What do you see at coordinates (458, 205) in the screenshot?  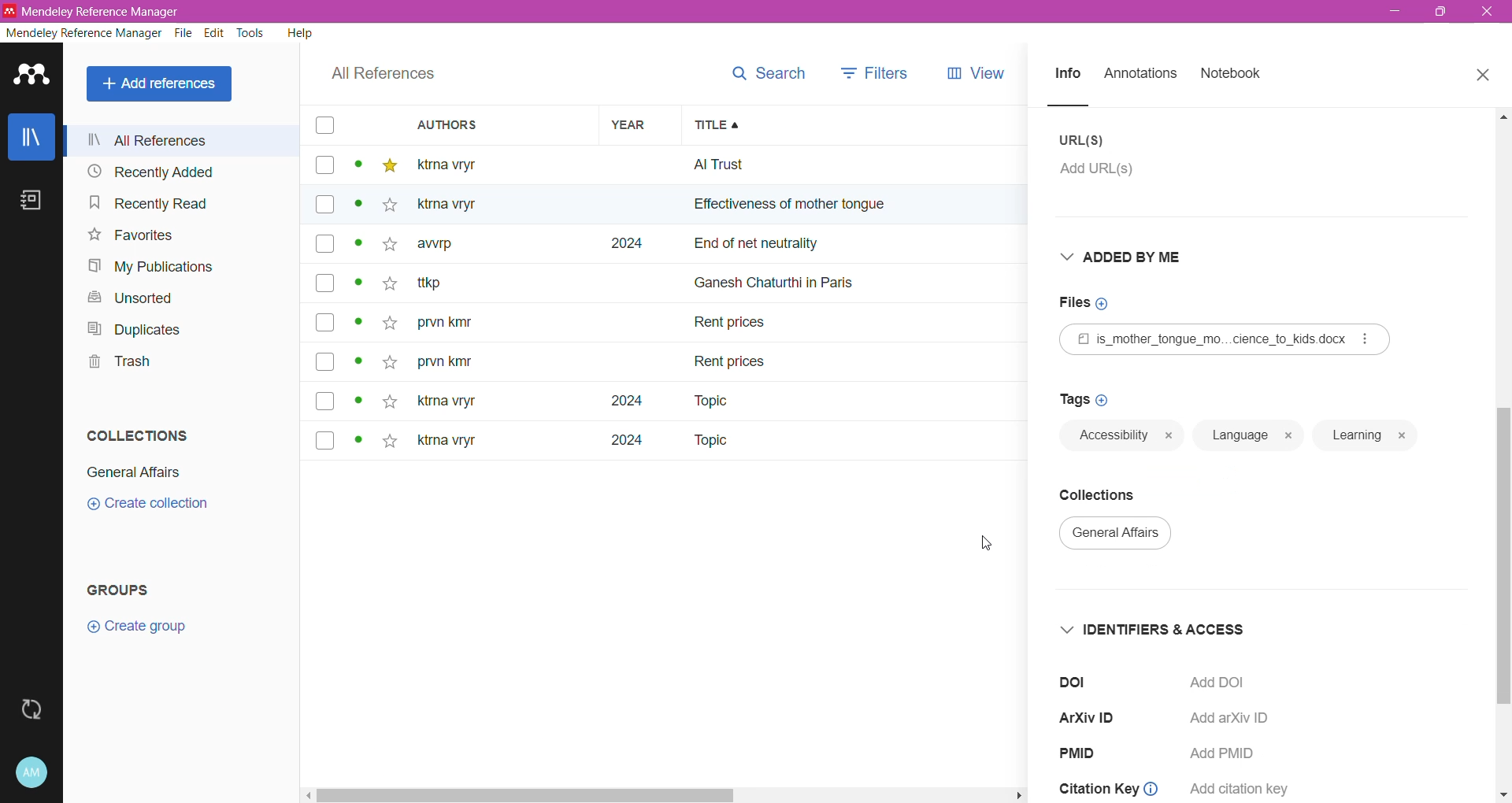 I see `` at bounding box center [458, 205].